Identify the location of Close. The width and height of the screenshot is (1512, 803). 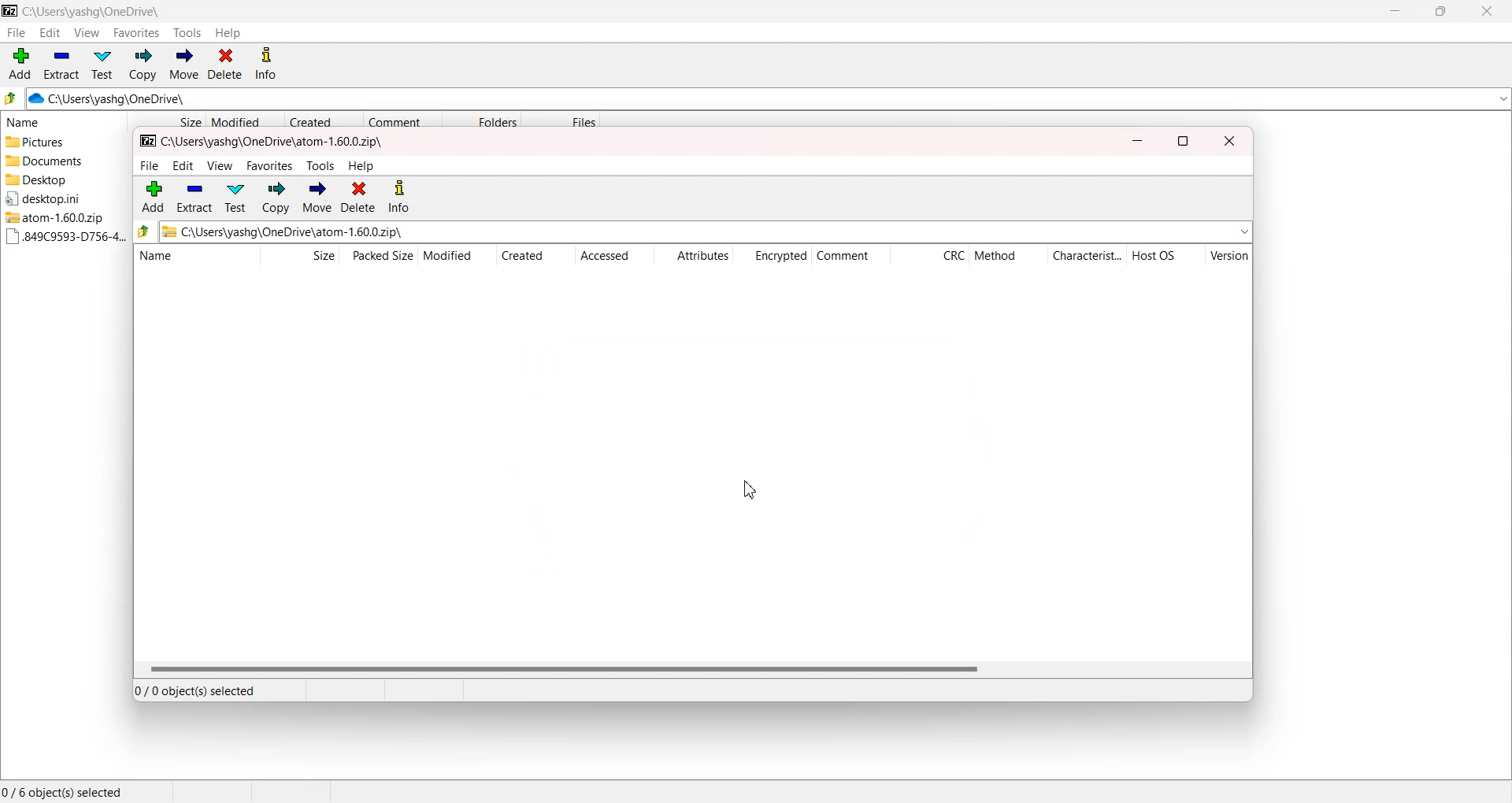
(1485, 11).